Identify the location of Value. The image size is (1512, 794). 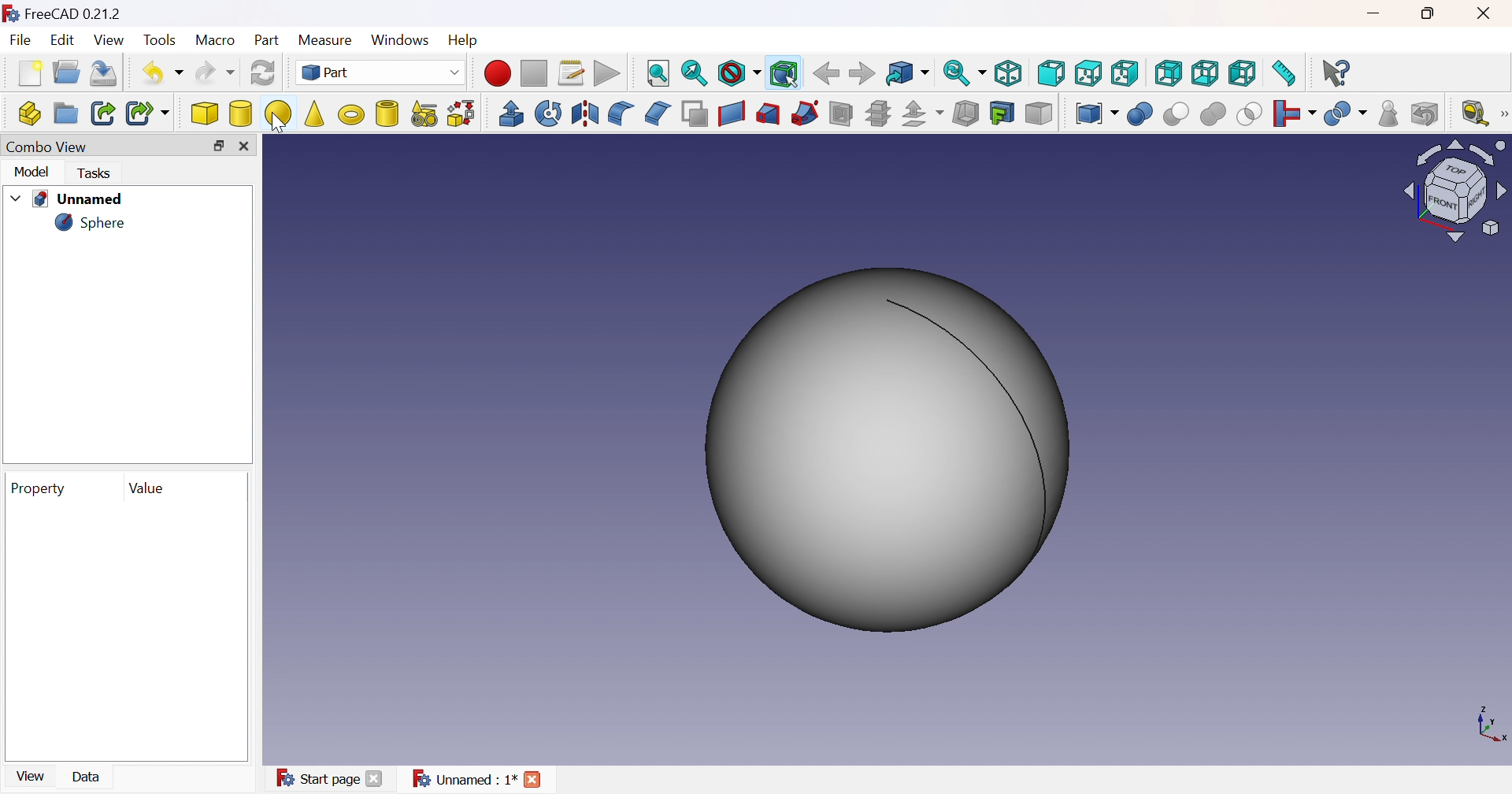
(146, 486).